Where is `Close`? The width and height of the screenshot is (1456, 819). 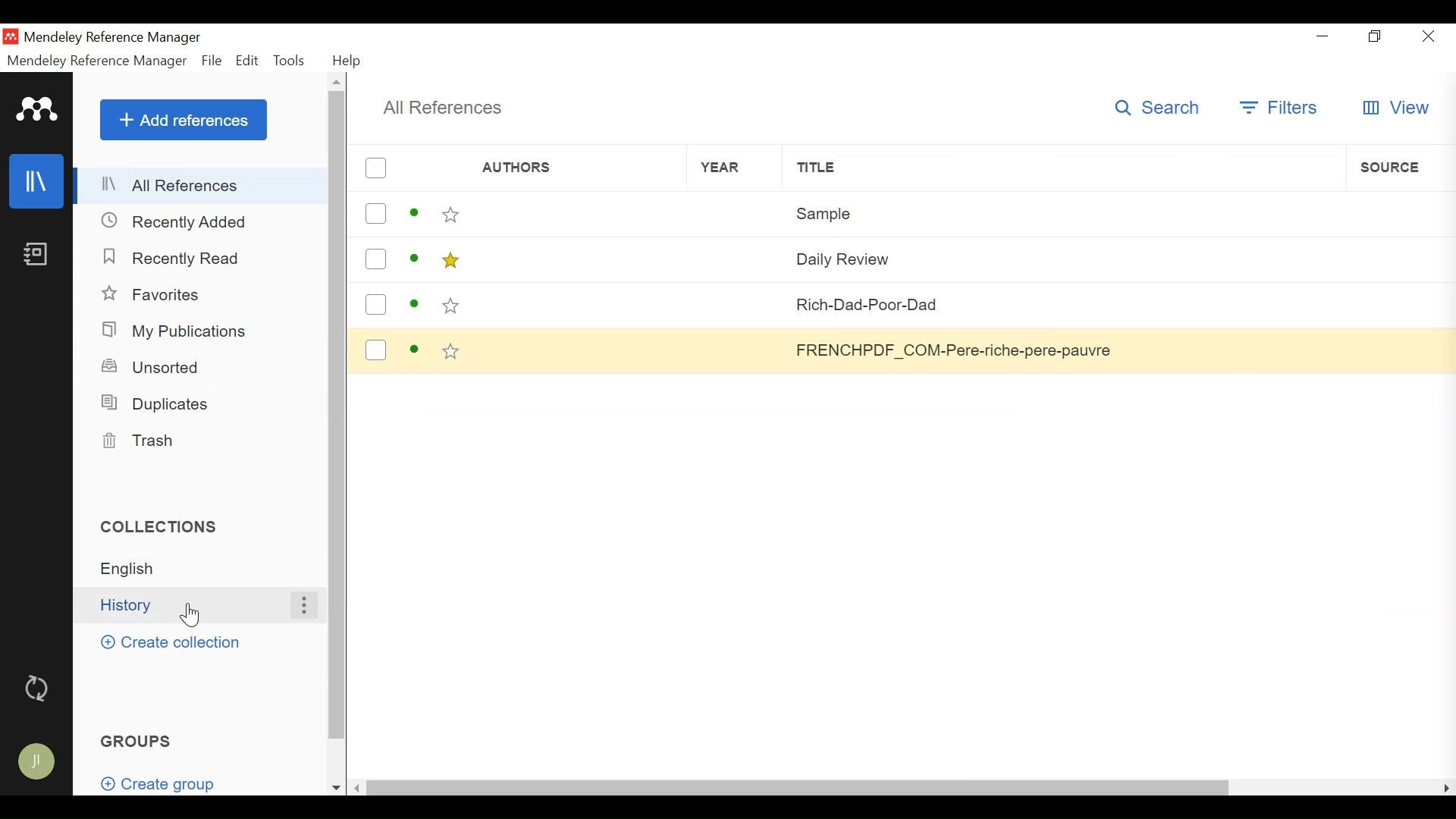
Close is located at coordinates (1426, 36).